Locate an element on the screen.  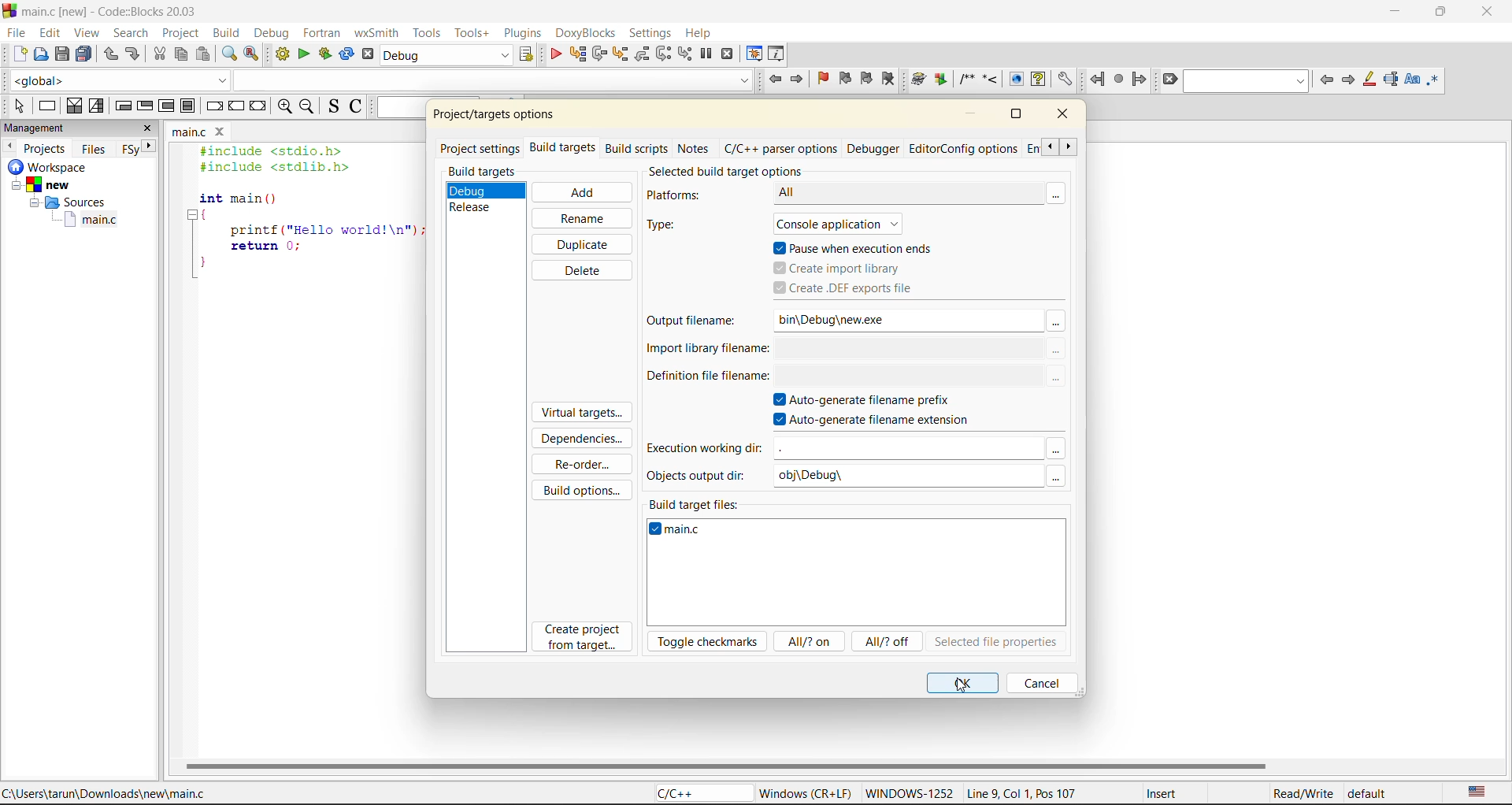
selected file properties is located at coordinates (995, 643).